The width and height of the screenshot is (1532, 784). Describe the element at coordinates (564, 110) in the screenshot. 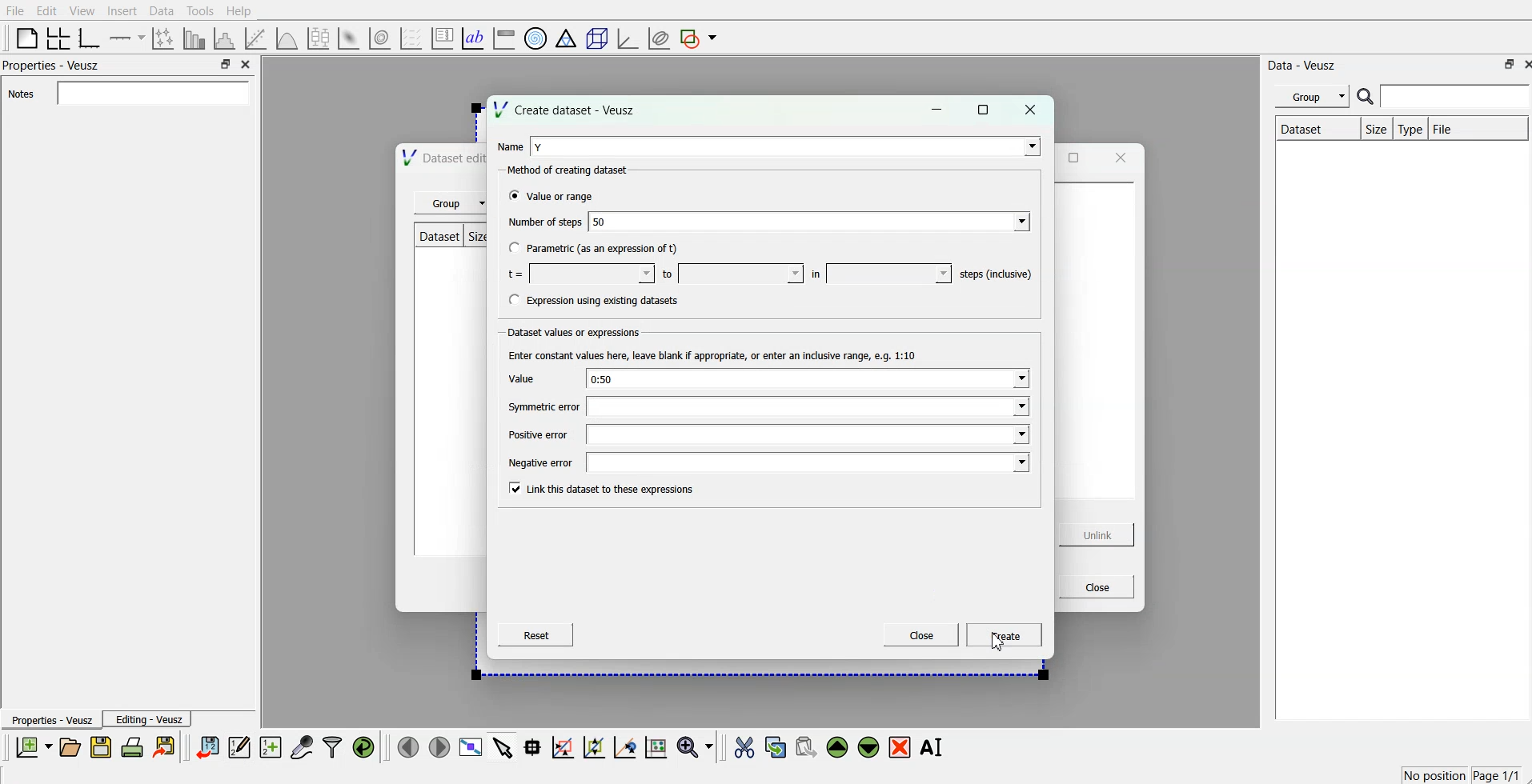

I see `Create dataset - Veusz` at that location.